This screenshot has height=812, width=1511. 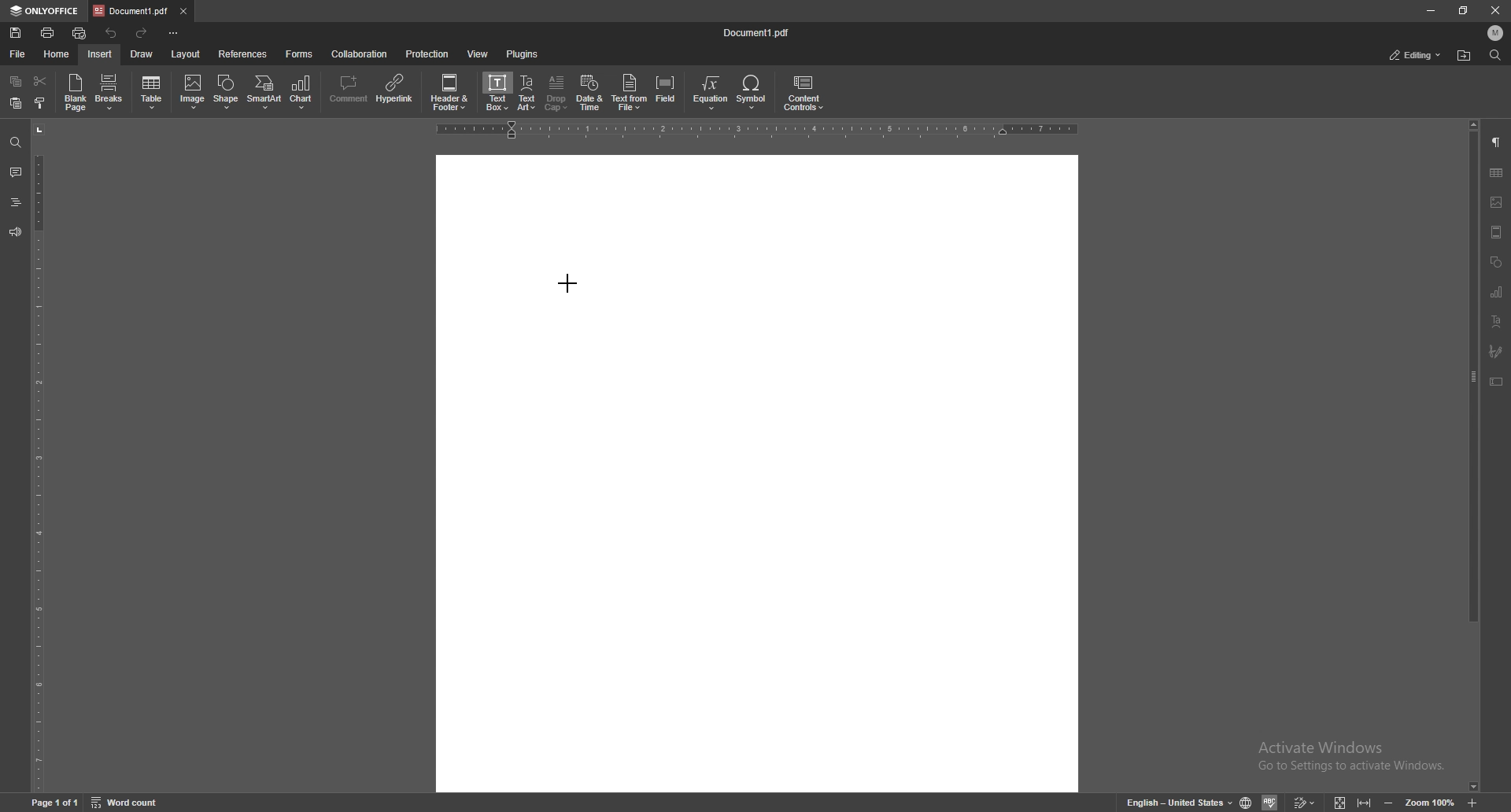 What do you see at coordinates (567, 282) in the screenshot?
I see `cursor` at bounding box center [567, 282].